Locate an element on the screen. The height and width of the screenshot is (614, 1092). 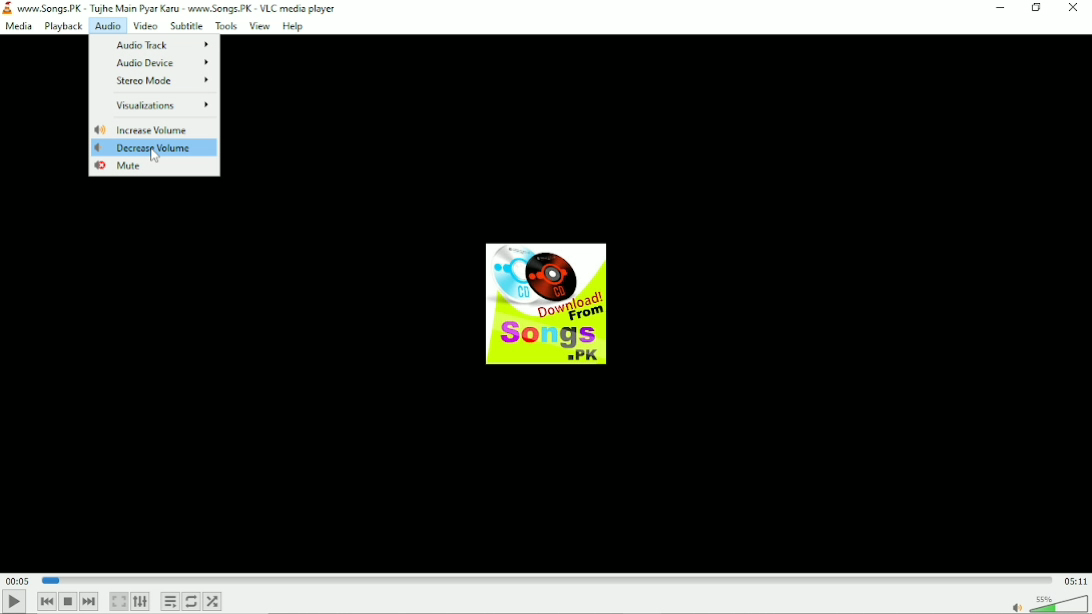
Stop playback is located at coordinates (67, 601).